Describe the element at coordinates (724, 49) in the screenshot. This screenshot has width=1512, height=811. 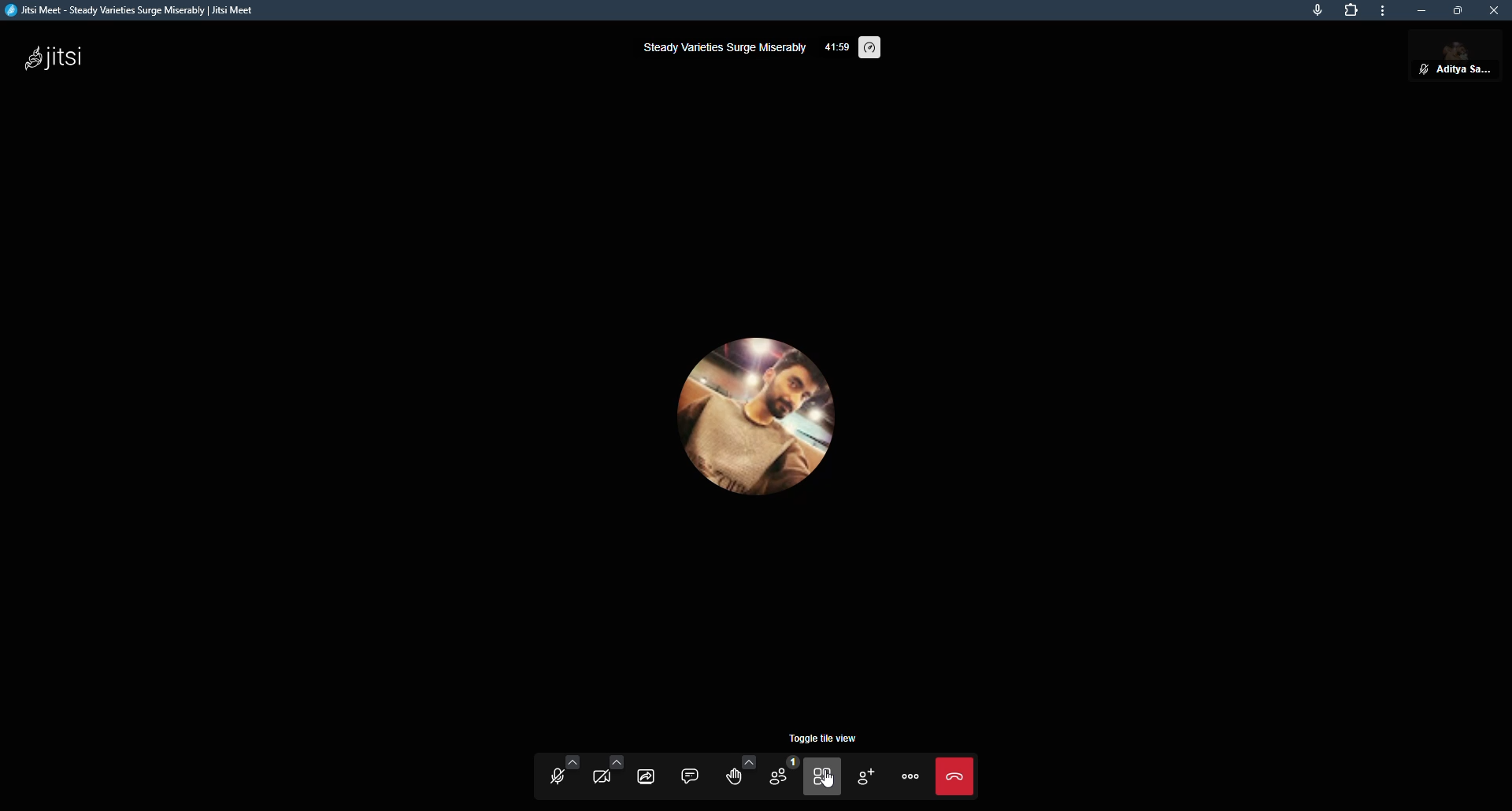
I see `steady varieties surge miserably` at that location.